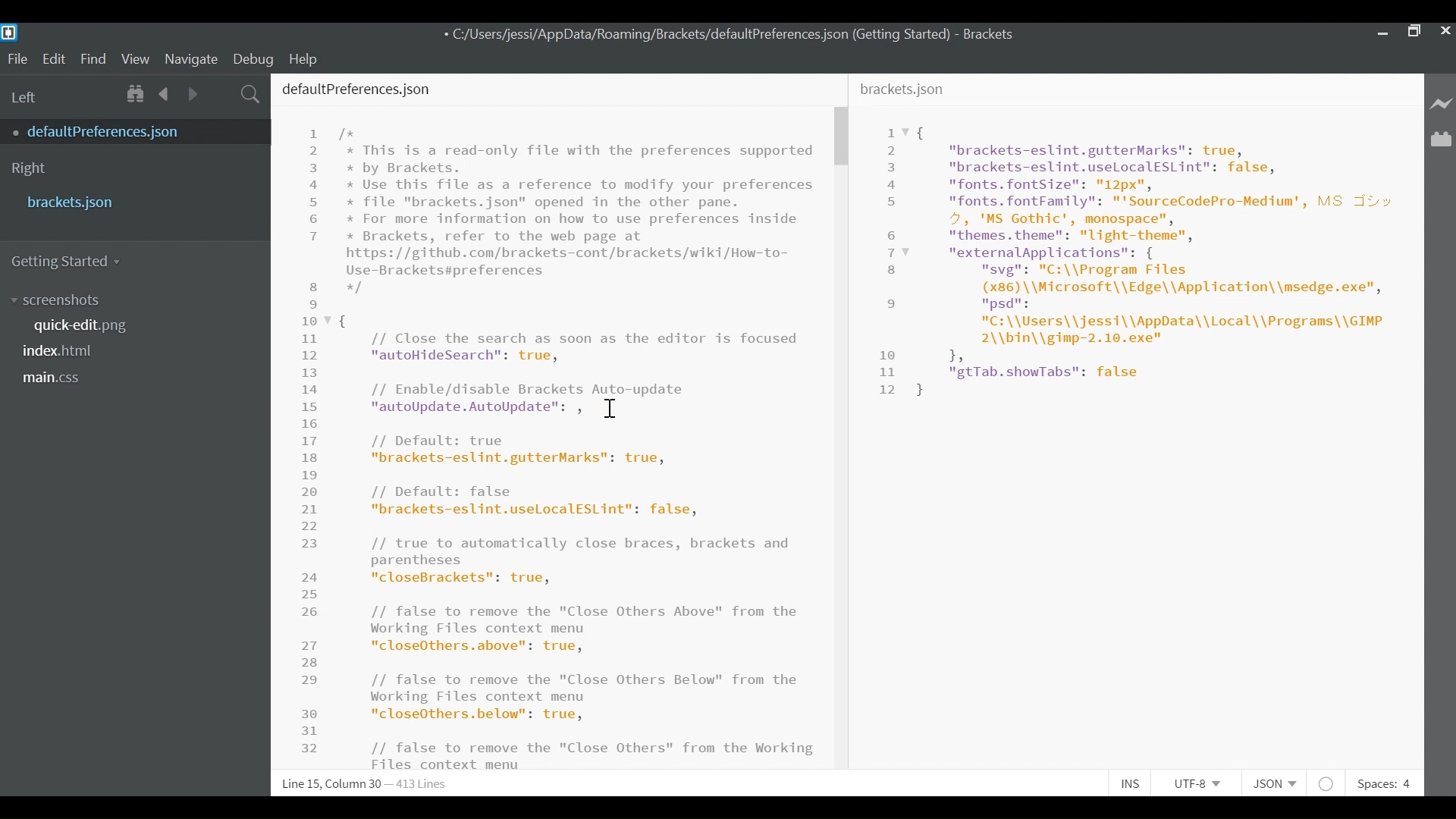 The image size is (1456, 819). I want to click on Navigate Forward, so click(193, 92).